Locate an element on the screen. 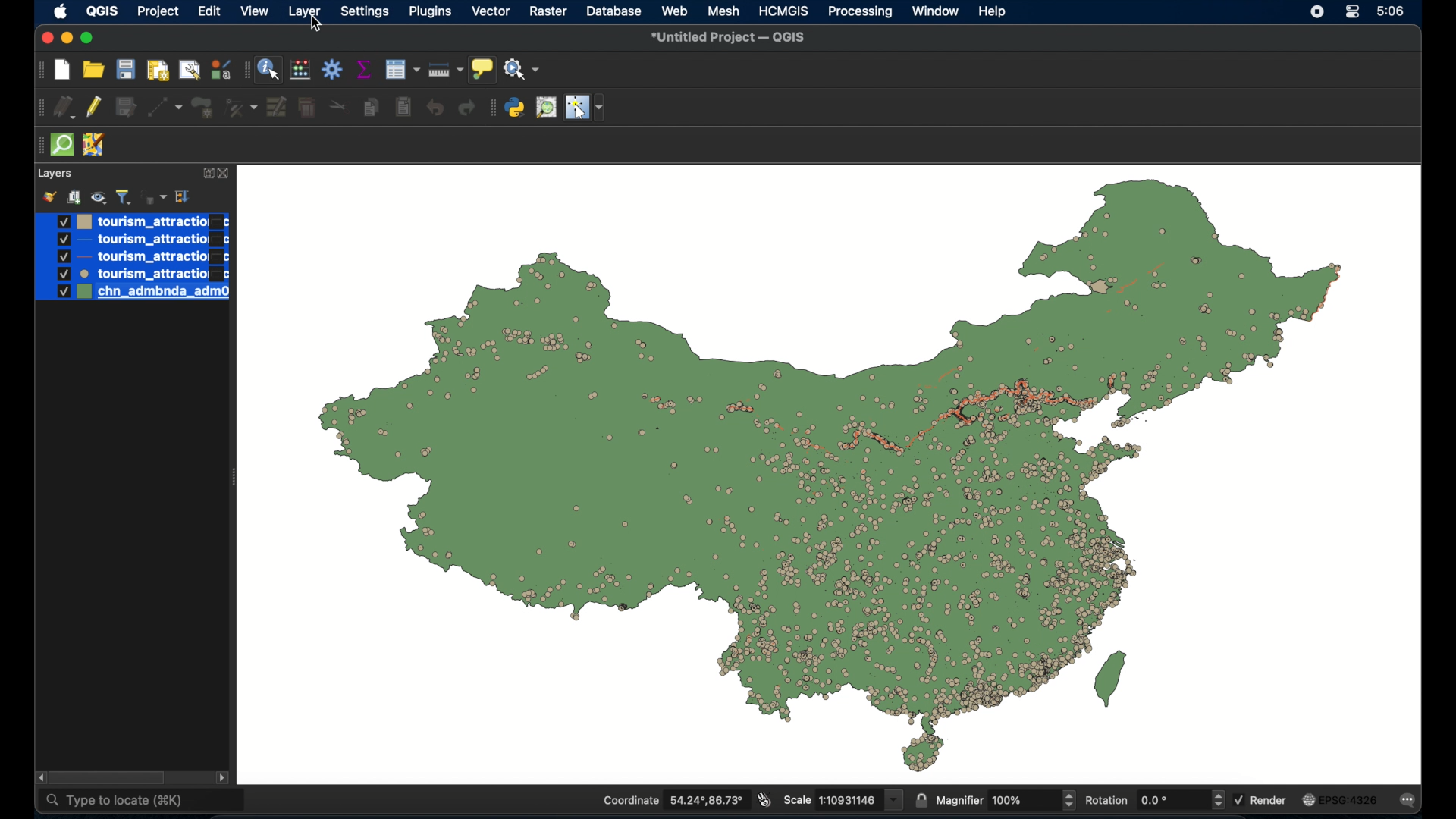  layer 3 is located at coordinates (131, 257).